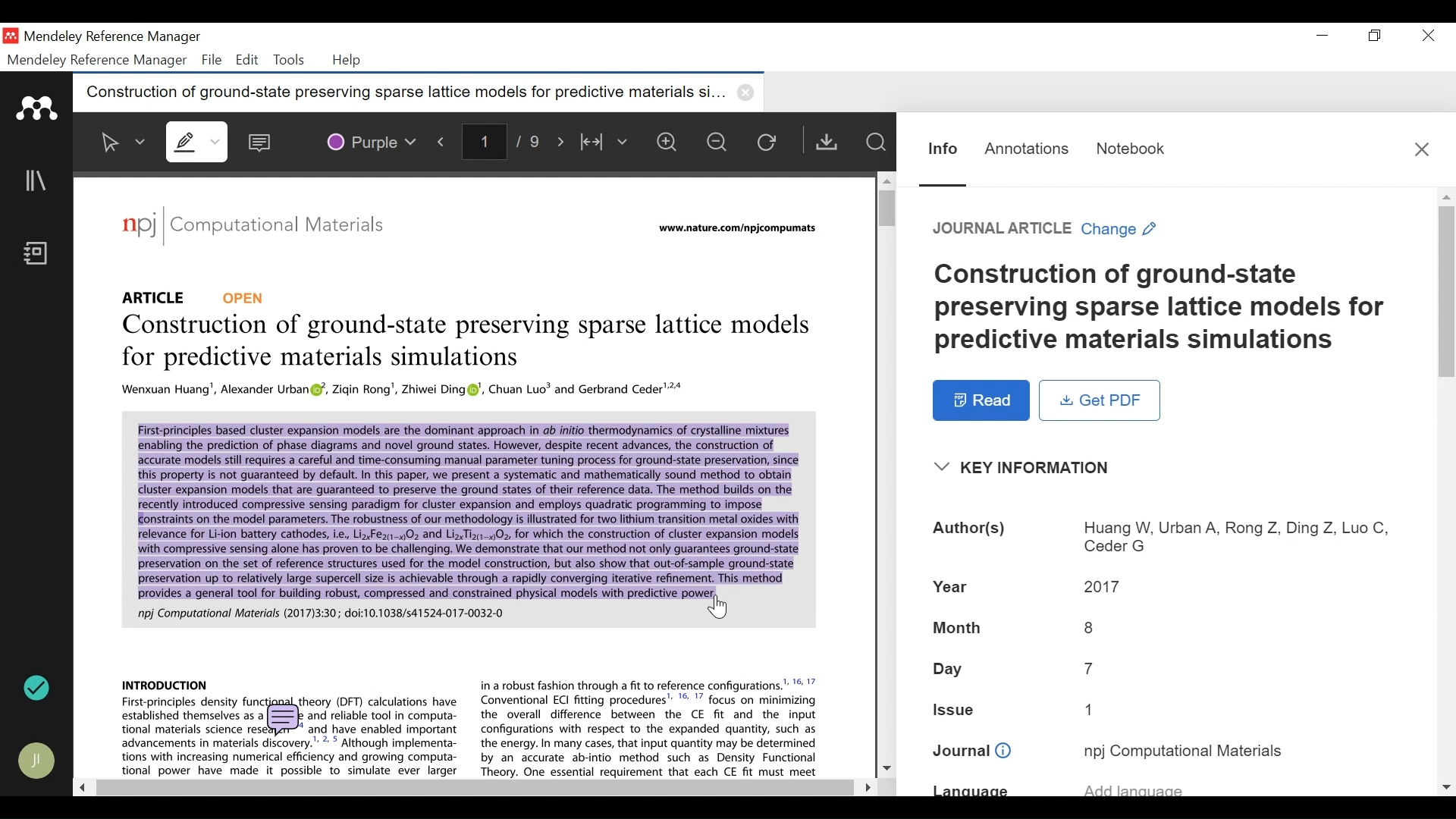 The width and height of the screenshot is (1456, 819). I want to click on close, so click(748, 93).